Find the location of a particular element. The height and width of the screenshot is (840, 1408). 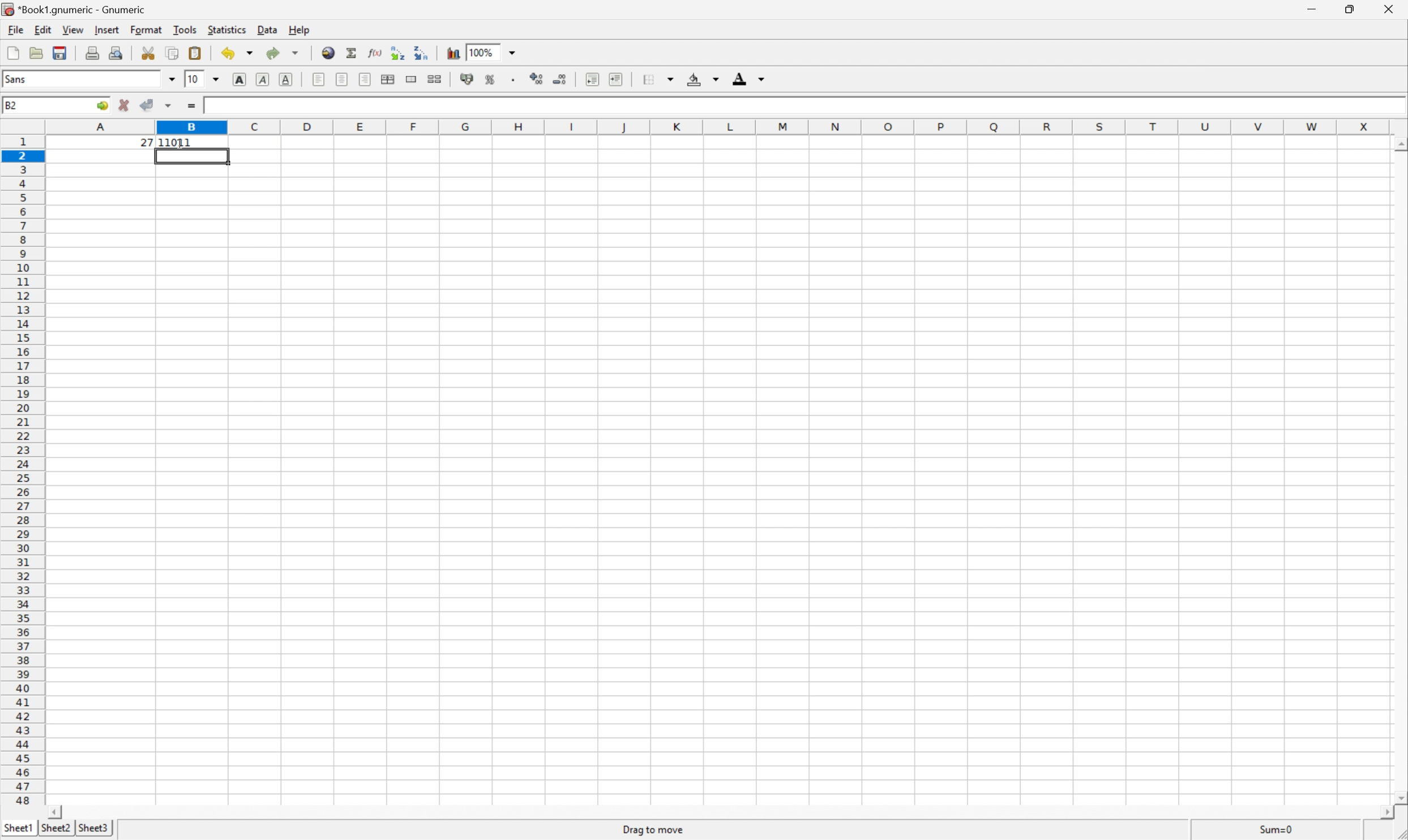

Merge a range of cells is located at coordinates (409, 80).